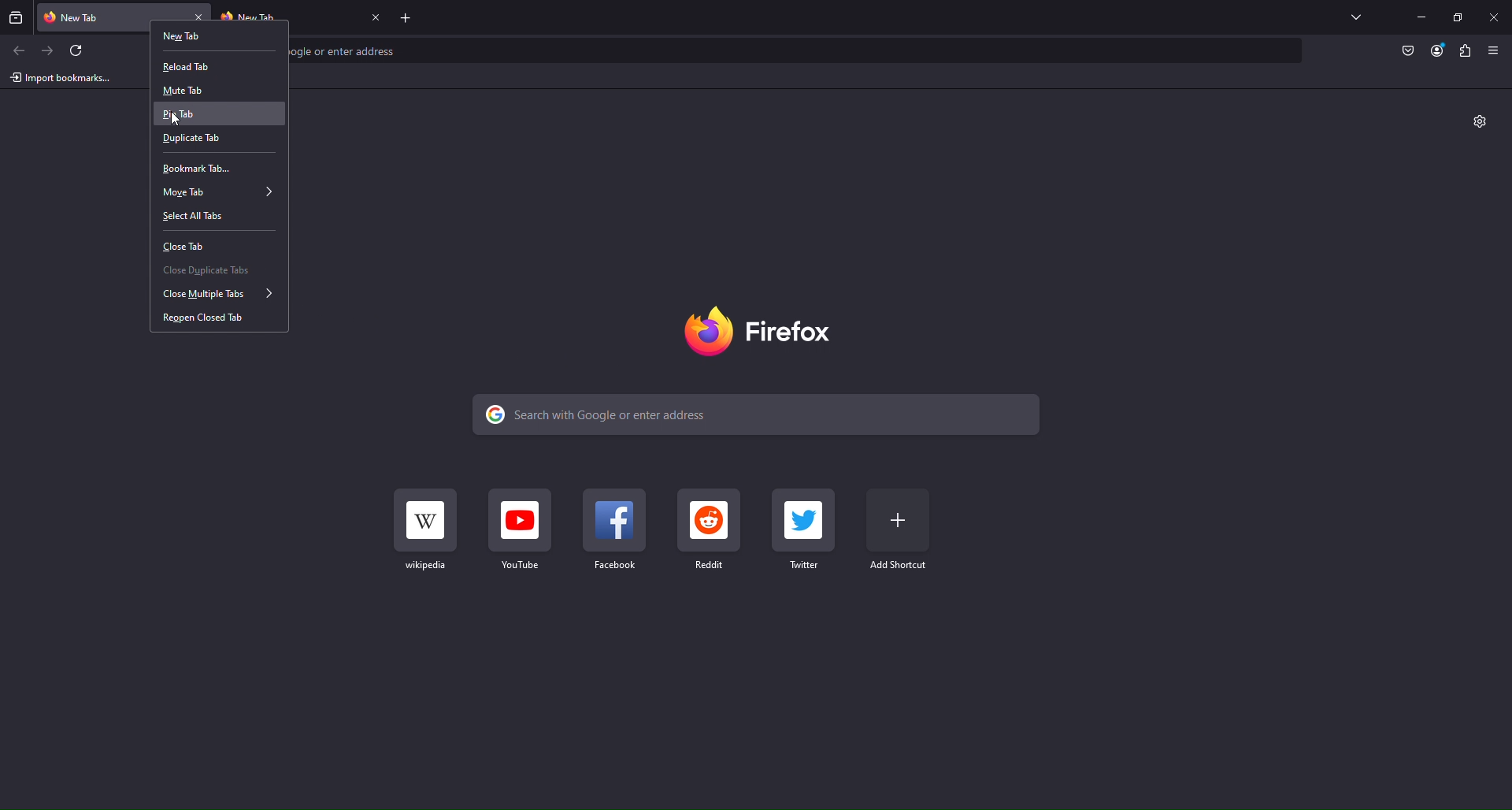 The height and width of the screenshot is (810, 1512). I want to click on Close Tab, so click(214, 243).